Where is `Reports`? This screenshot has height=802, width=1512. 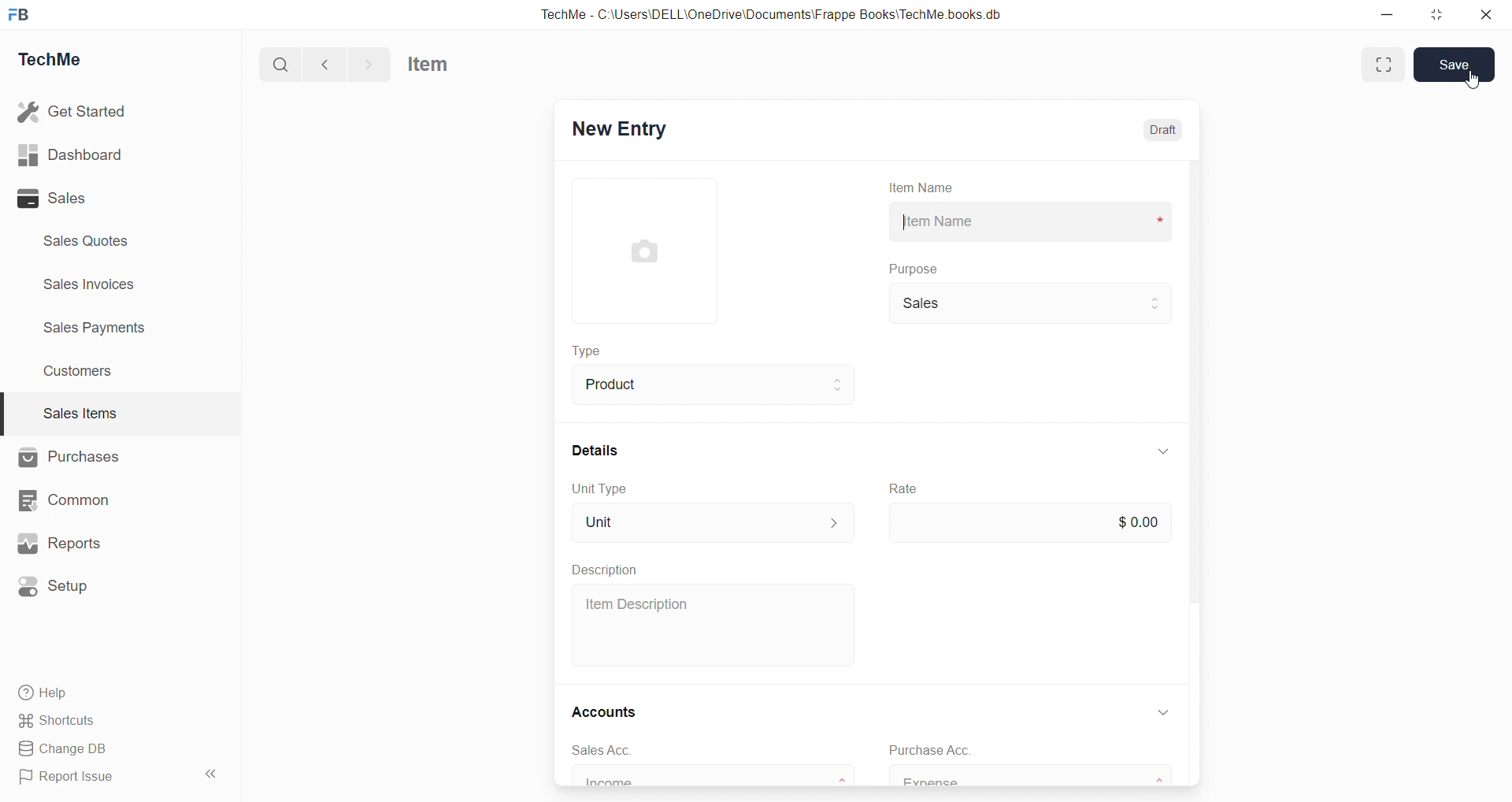
Reports is located at coordinates (61, 543).